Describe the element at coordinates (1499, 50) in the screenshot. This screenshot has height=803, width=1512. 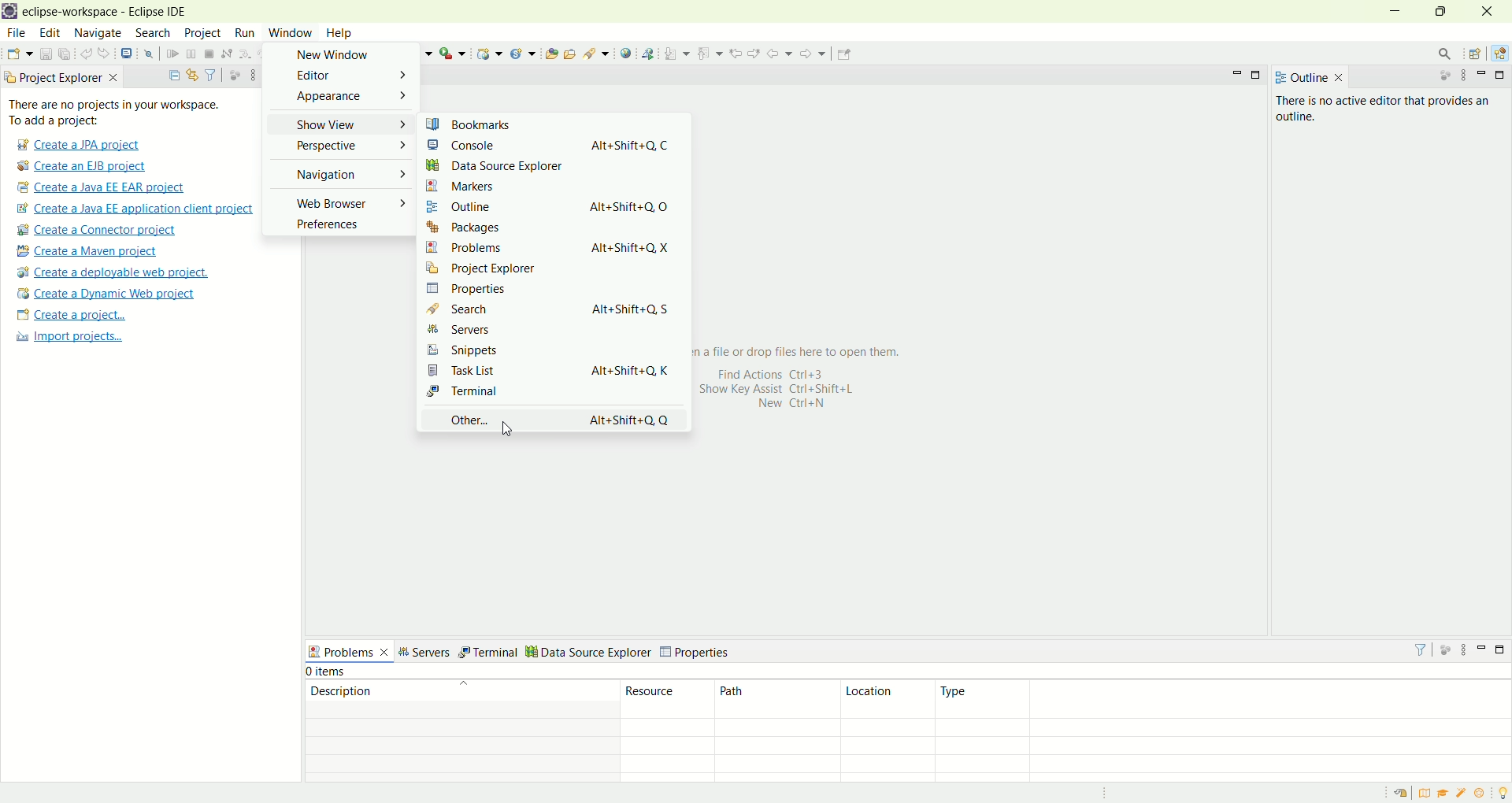
I see `java EE` at that location.